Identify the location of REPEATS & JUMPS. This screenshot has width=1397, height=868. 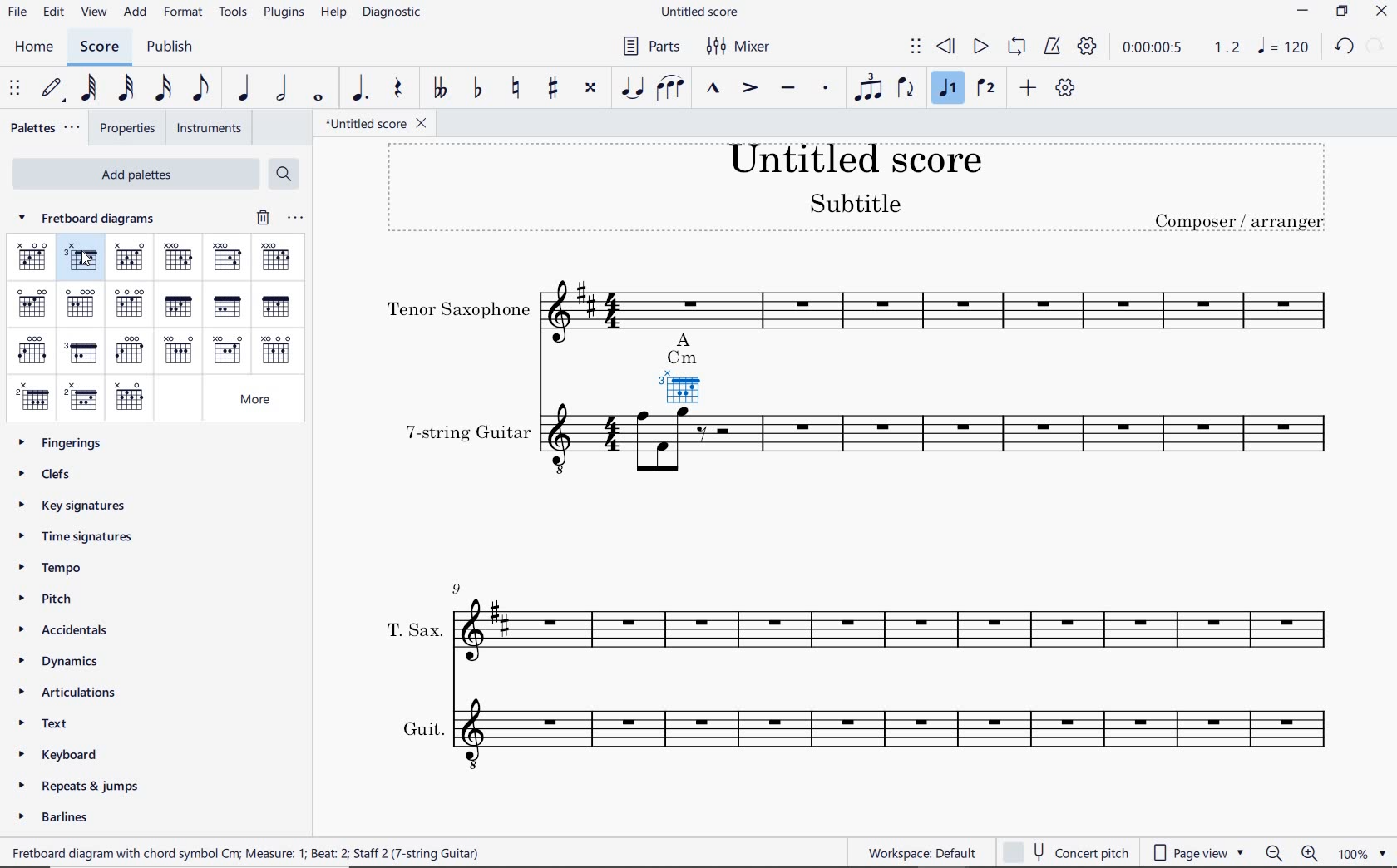
(83, 784).